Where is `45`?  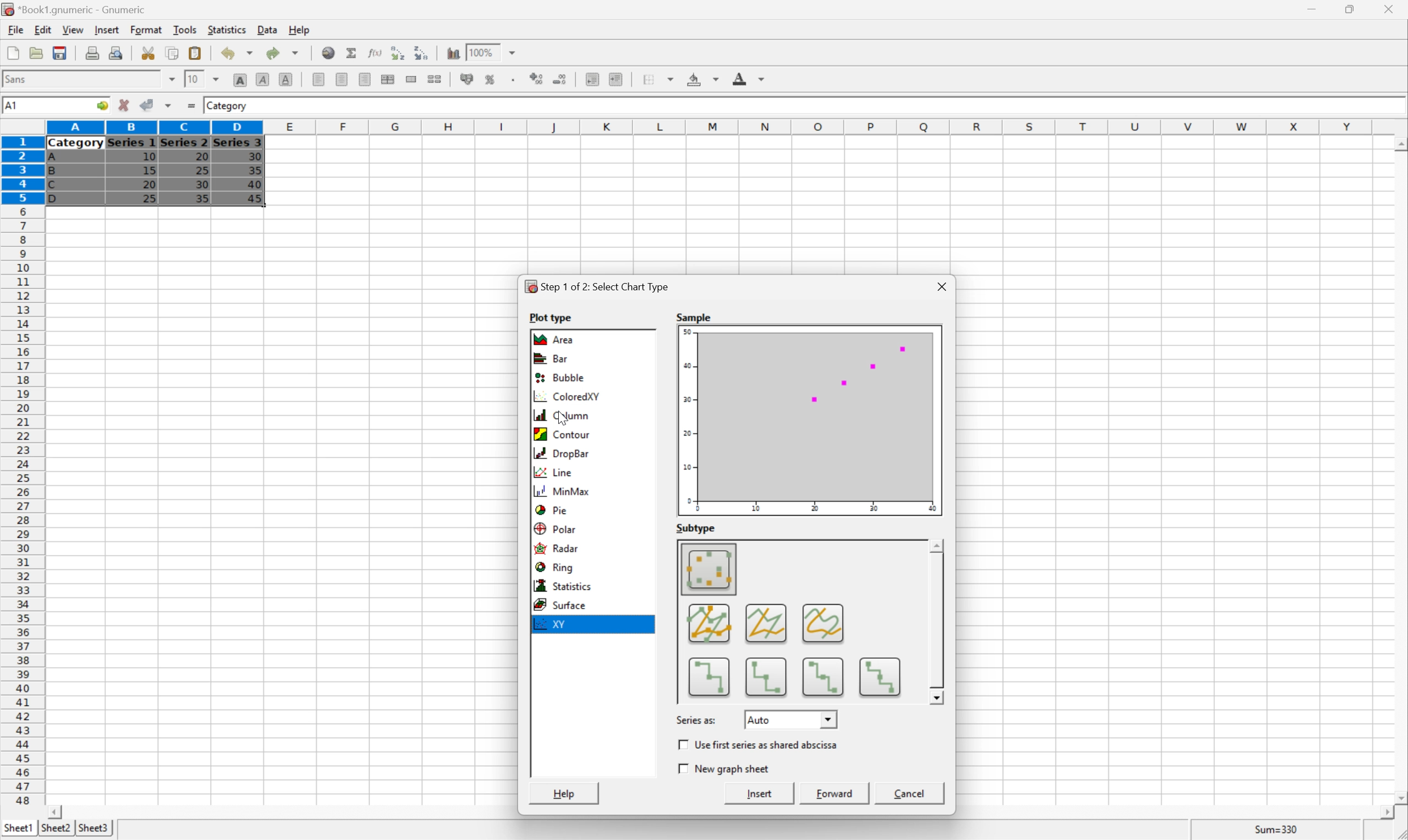 45 is located at coordinates (263, 199).